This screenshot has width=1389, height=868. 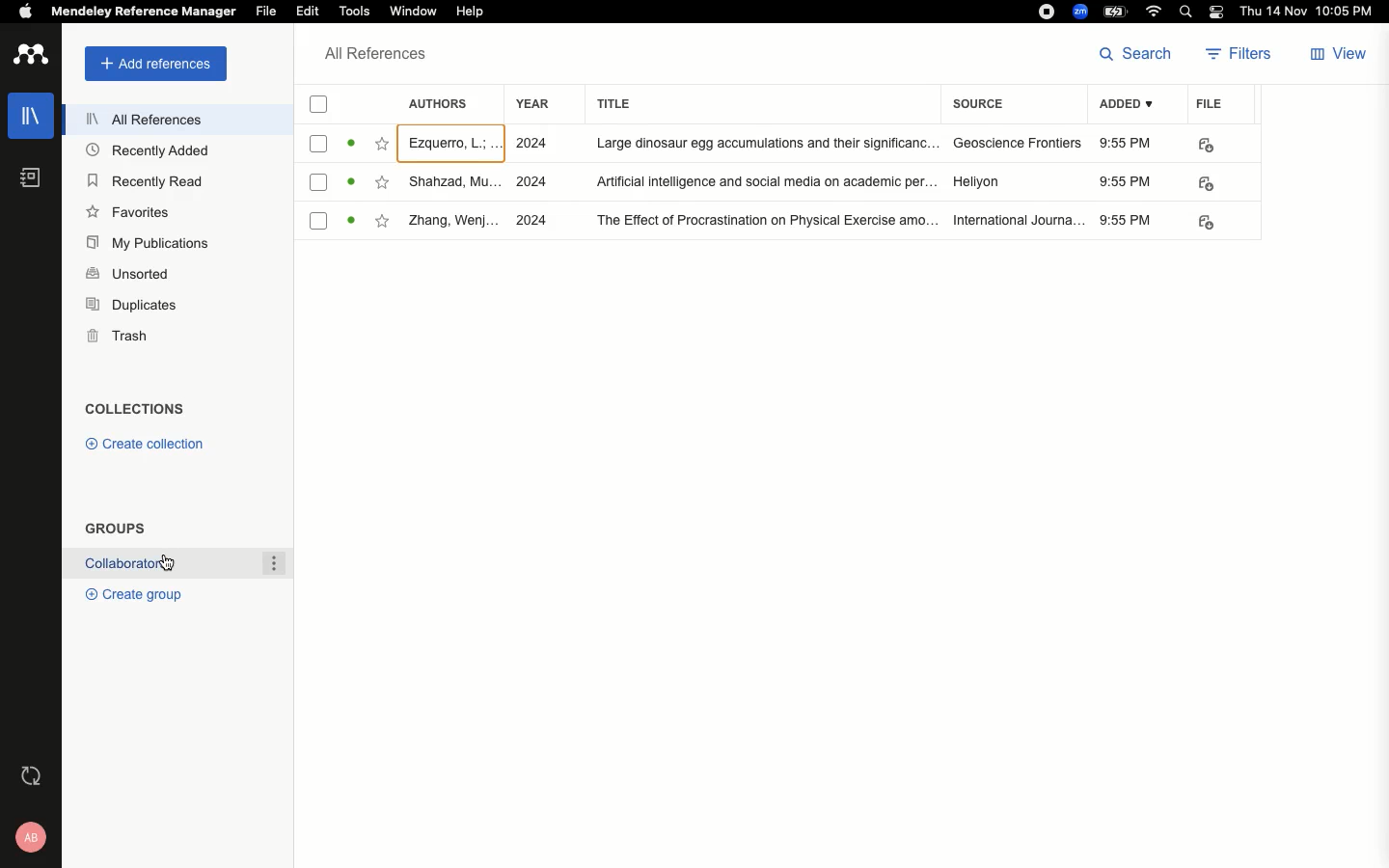 I want to click on International journal, so click(x=1016, y=219).